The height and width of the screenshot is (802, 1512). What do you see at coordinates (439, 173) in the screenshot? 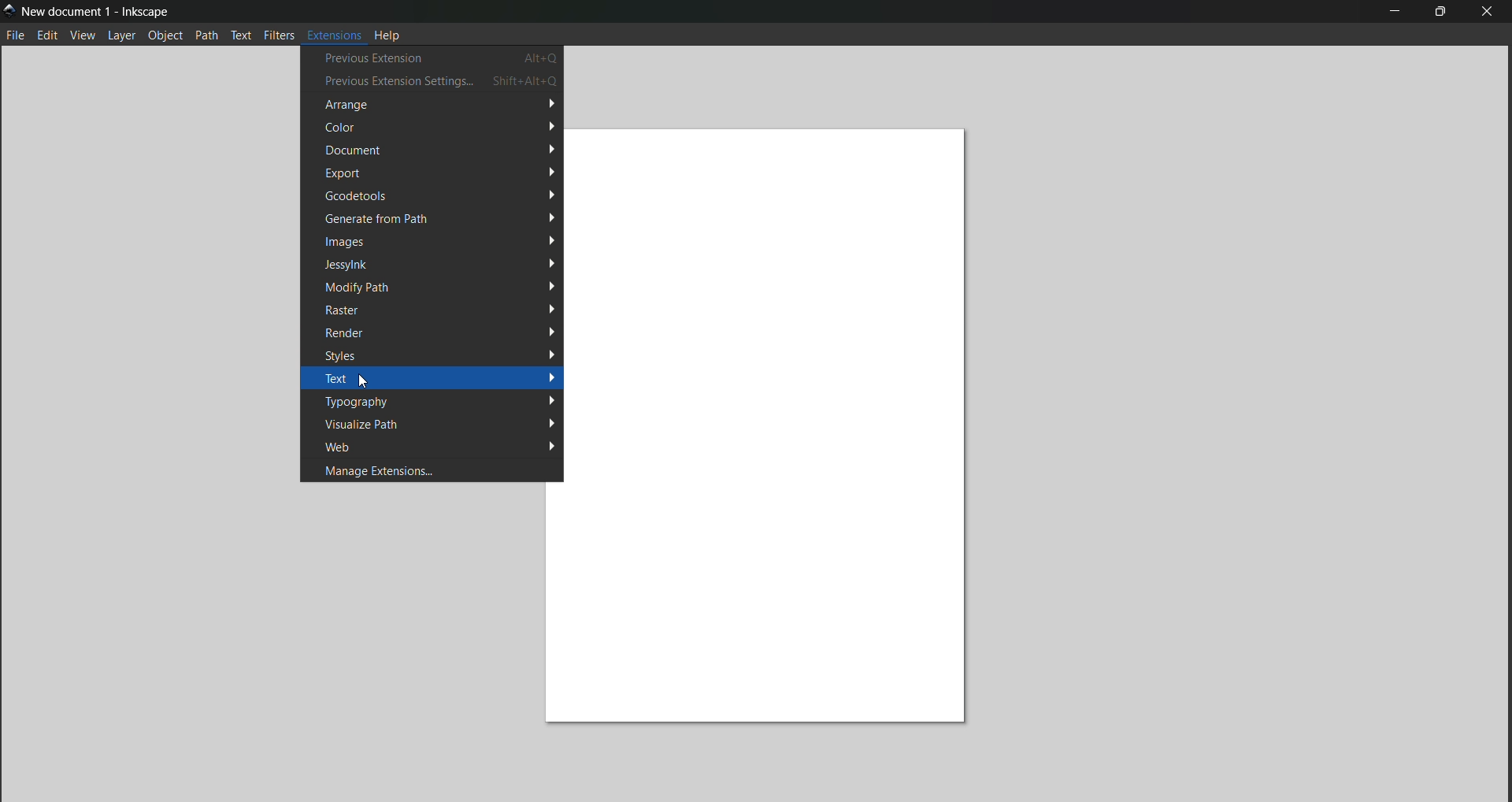
I see `export` at bounding box center [439, 173].